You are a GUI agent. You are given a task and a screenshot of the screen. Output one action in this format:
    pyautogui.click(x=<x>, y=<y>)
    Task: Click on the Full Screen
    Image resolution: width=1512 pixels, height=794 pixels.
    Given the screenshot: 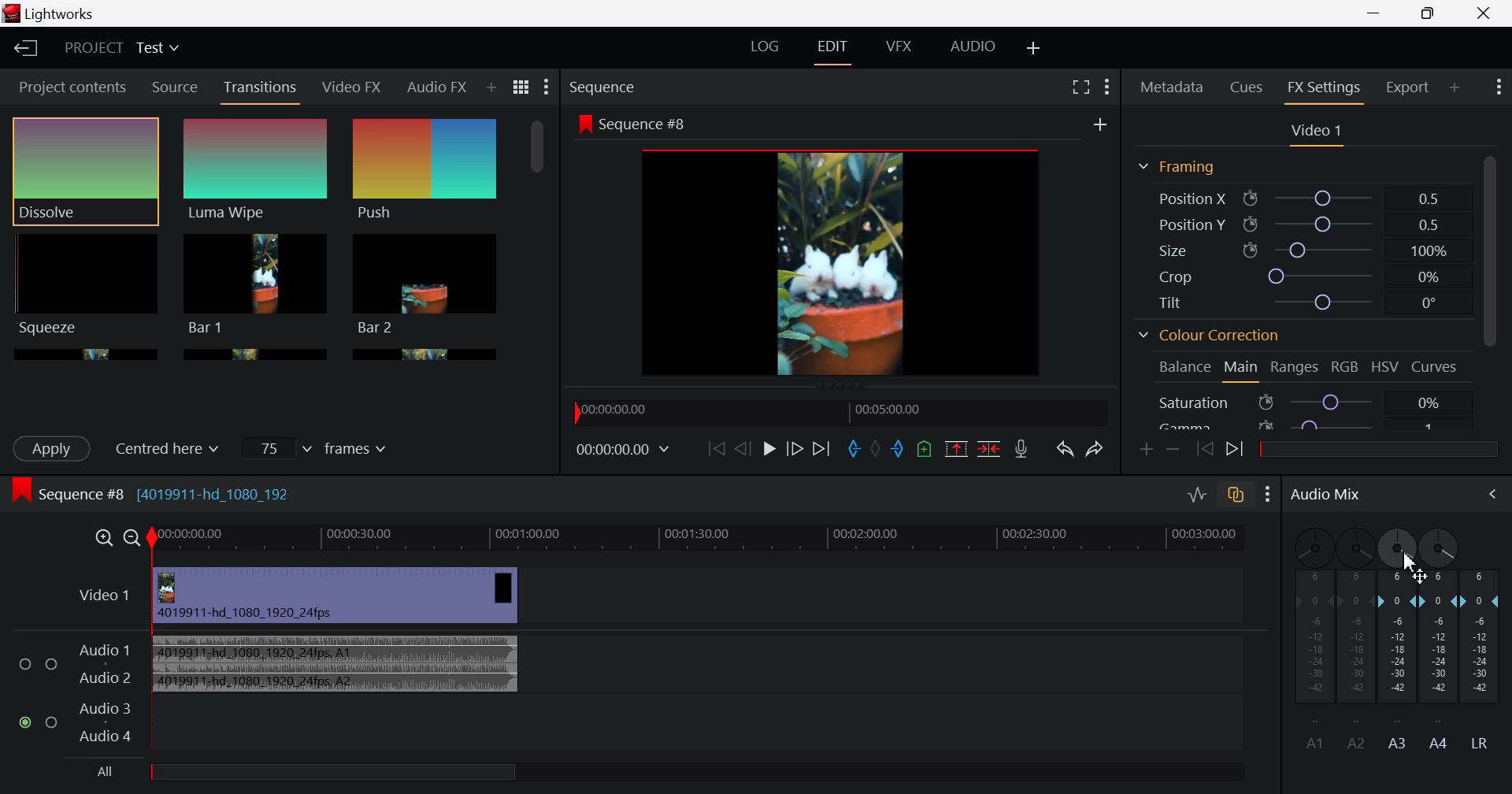 What is the action you would take?
    pyautogui.click(x=1080, y=87)
    